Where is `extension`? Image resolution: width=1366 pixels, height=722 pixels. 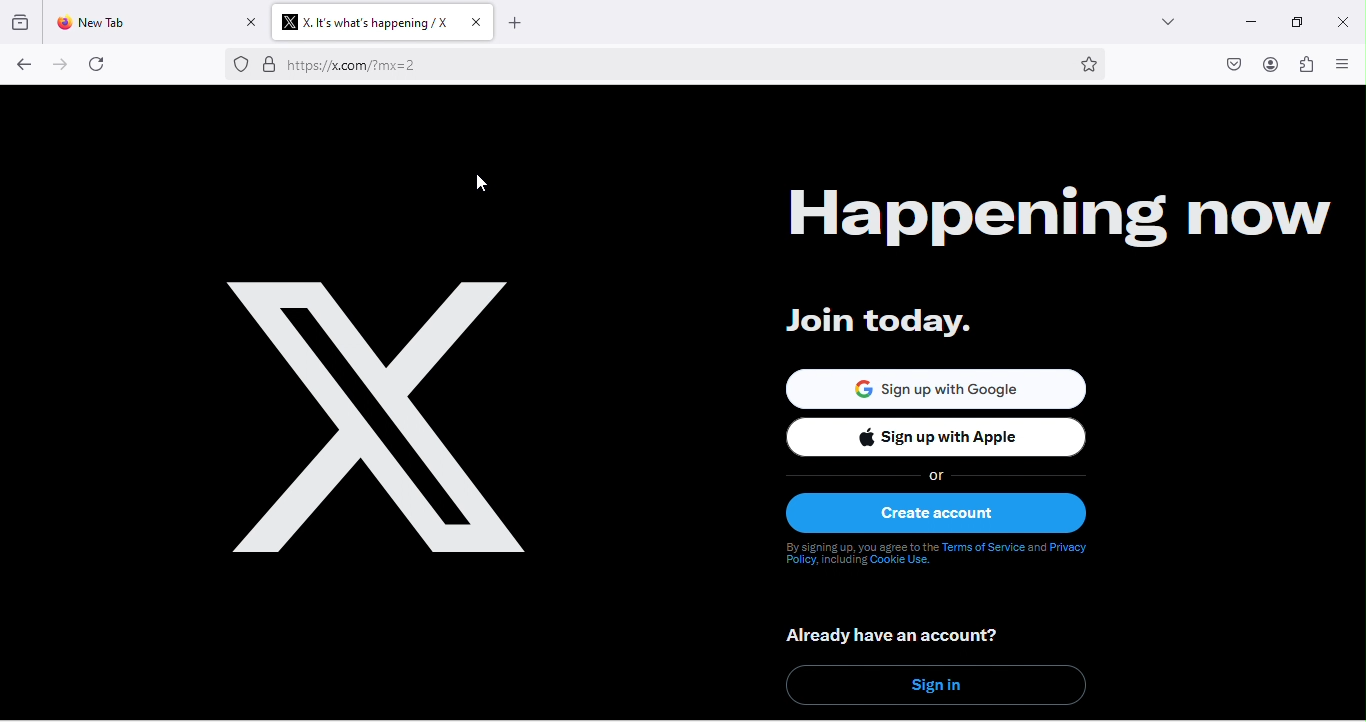 extension is located at coordinates (1307, 65).